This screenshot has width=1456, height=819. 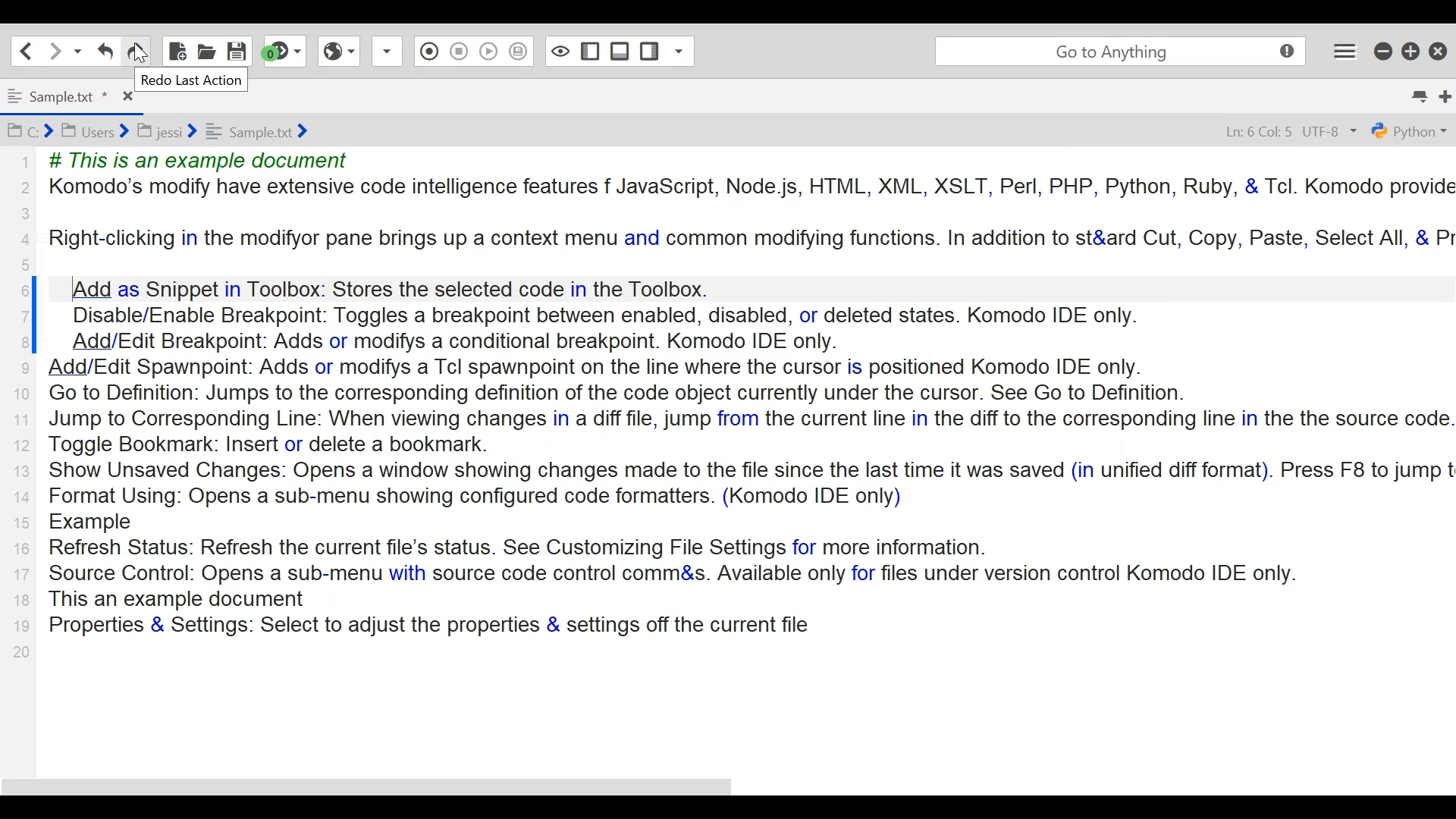 What do you see at coordinates (140, 52) in the screenshot?
I see `Cursor` at bounding box center [140, 52].